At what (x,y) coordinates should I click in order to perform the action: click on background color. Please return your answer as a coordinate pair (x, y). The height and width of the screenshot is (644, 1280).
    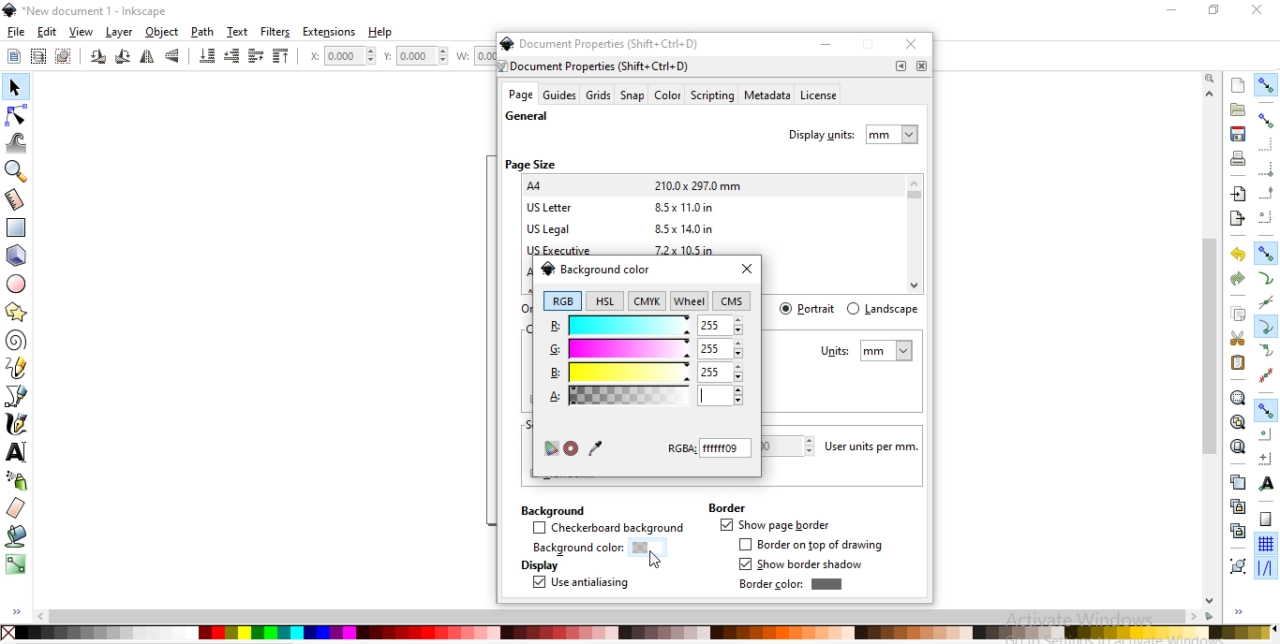
    Looking at the image, I should click on (592, 549).